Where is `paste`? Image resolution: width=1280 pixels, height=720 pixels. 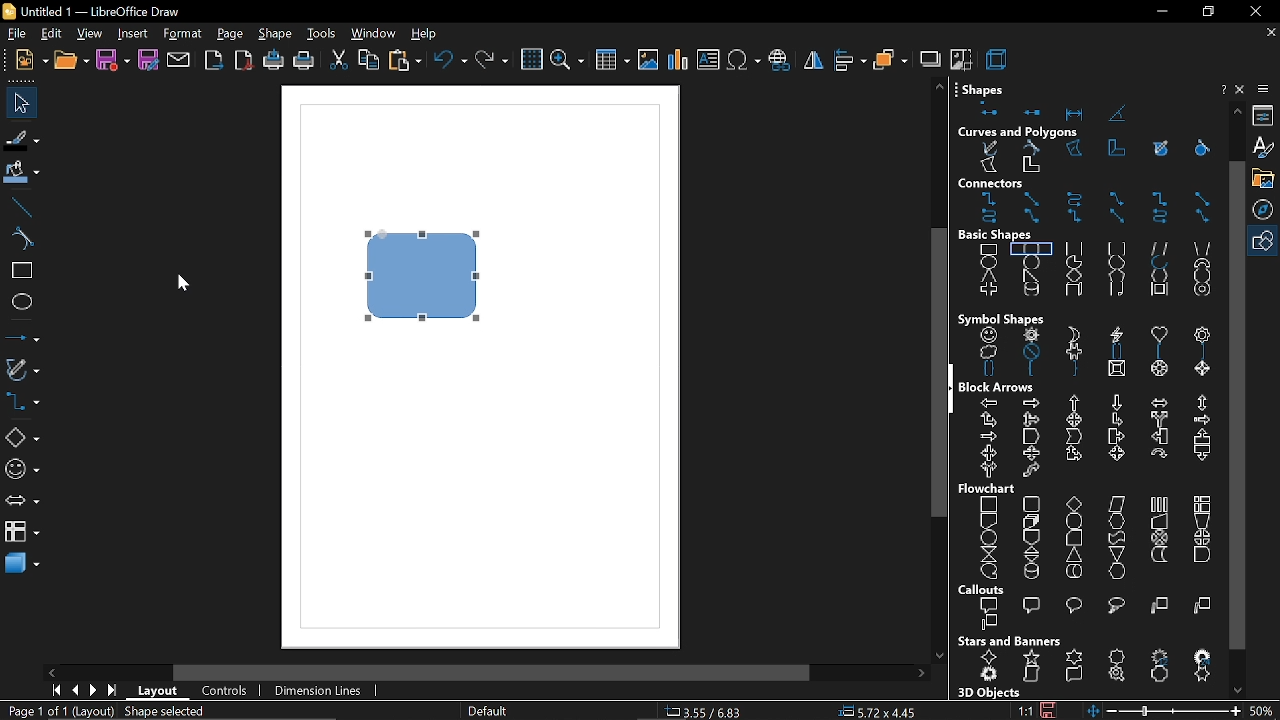 paste is located at coordinates (406, 62).